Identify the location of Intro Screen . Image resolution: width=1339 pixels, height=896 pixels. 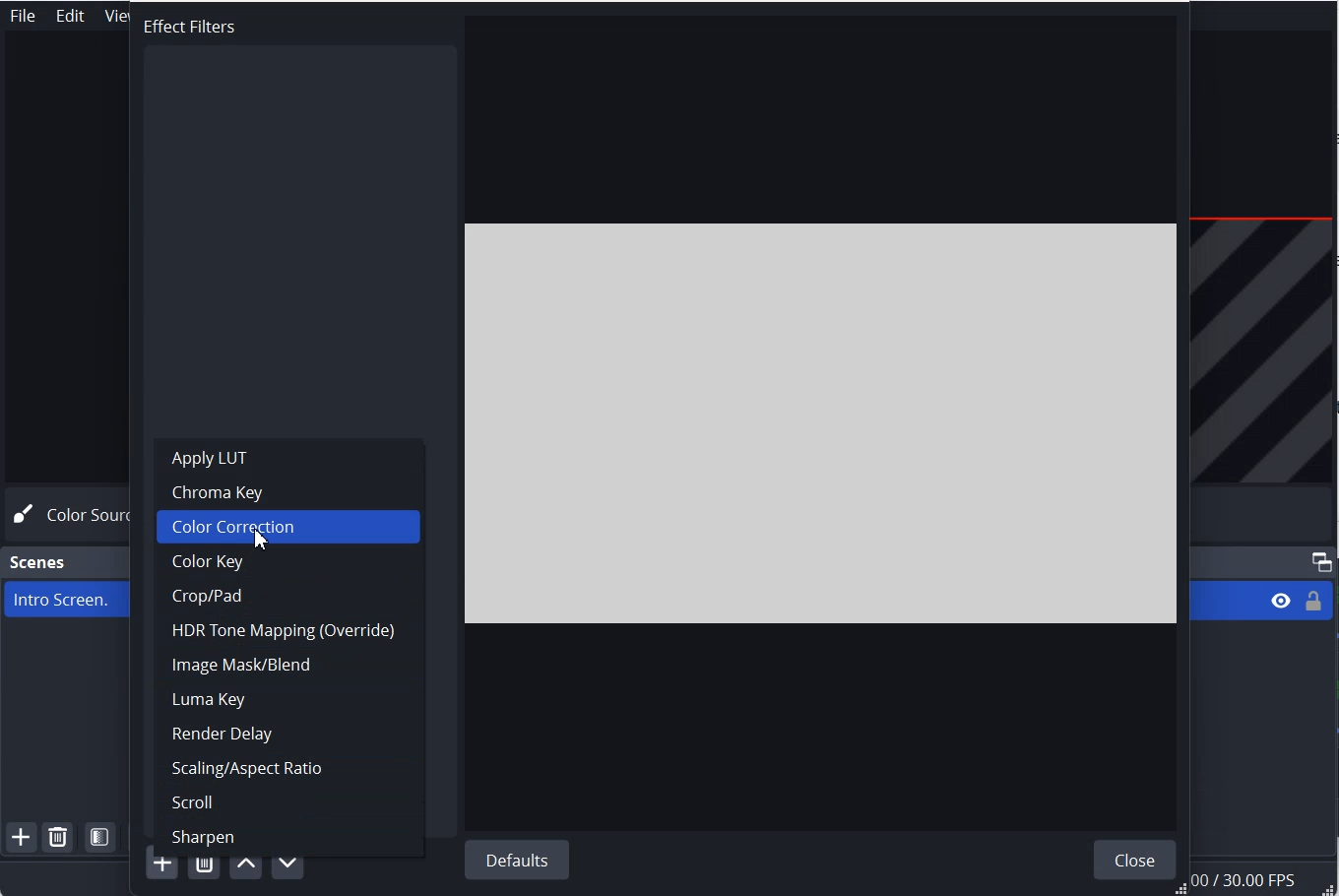
(62, 599).